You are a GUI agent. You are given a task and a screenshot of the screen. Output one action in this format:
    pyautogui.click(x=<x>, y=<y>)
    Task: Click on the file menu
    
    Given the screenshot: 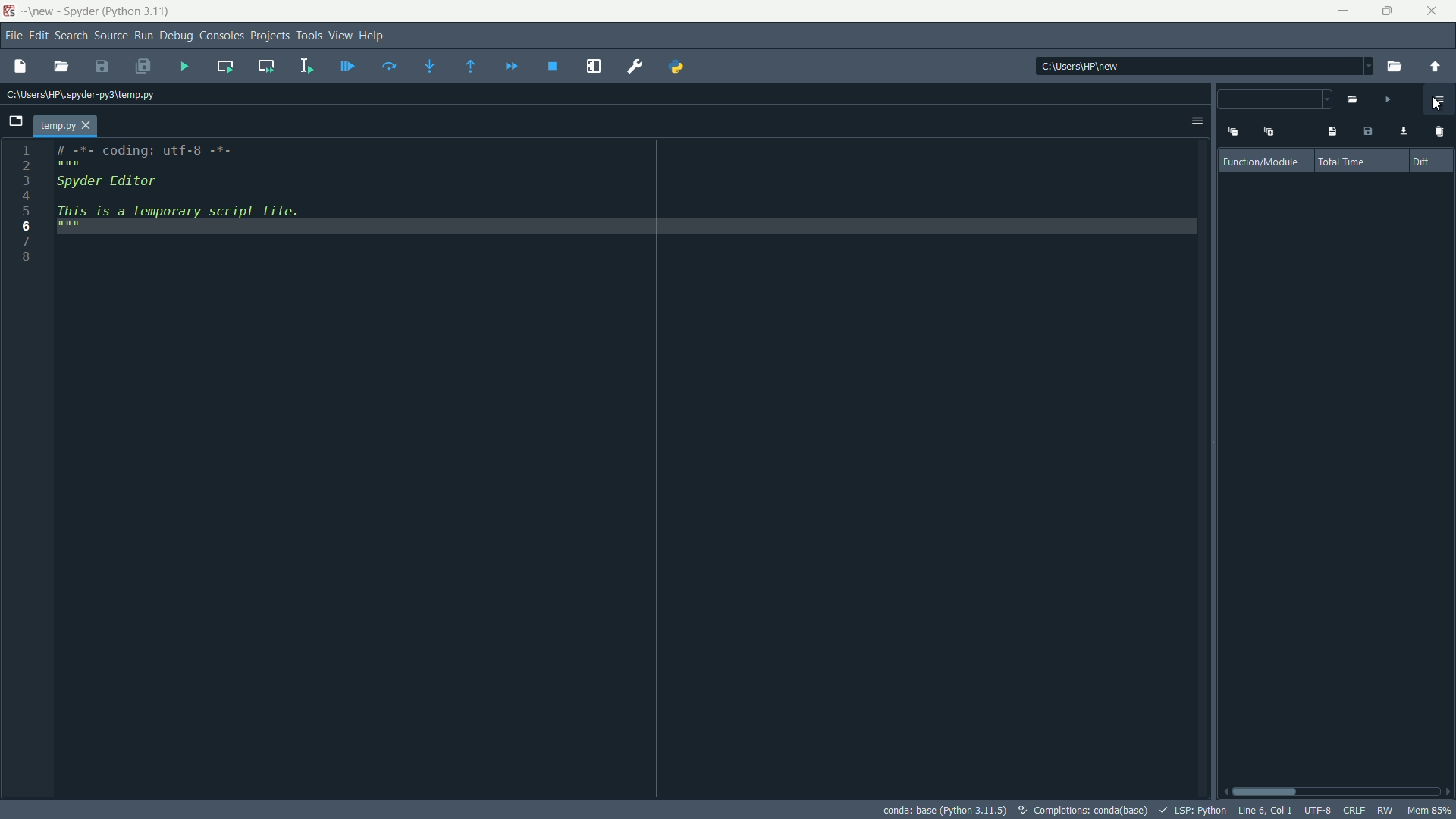 What is the action you would take?
    pyautogui.click(x=11, y=37)
    